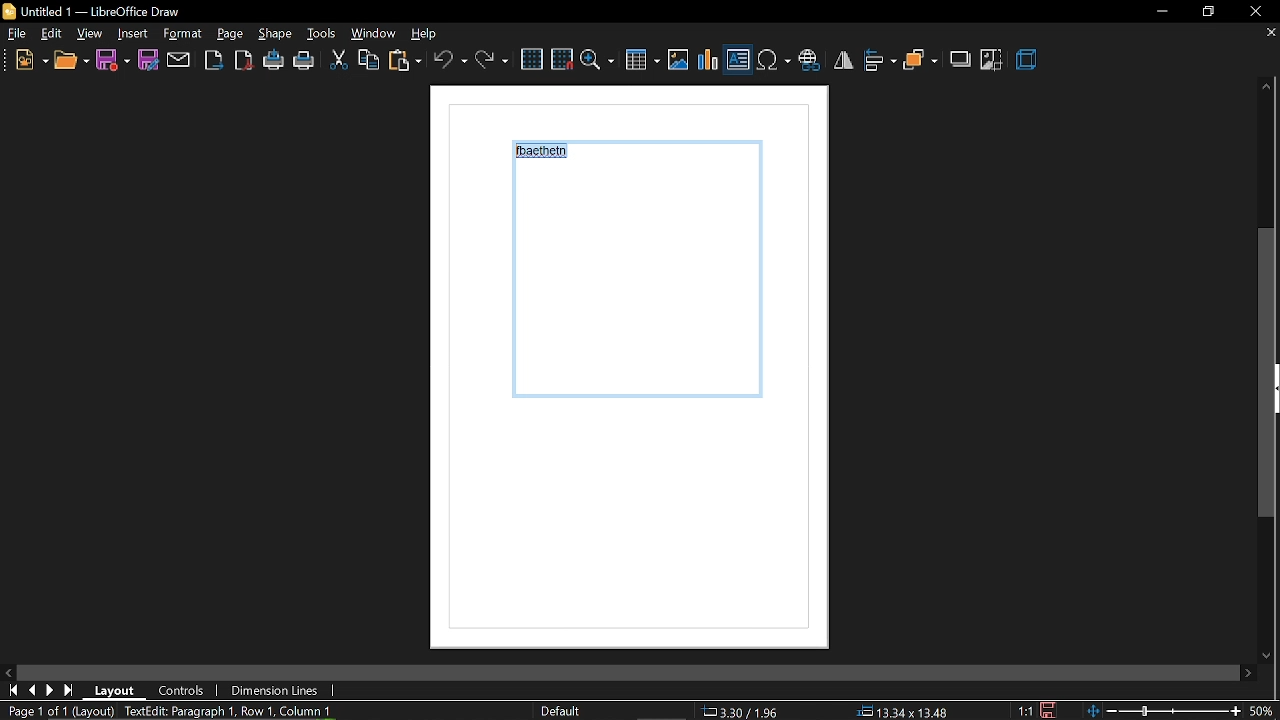  I want to click on Page 1 of 1 (Layout), so click(57, 711).